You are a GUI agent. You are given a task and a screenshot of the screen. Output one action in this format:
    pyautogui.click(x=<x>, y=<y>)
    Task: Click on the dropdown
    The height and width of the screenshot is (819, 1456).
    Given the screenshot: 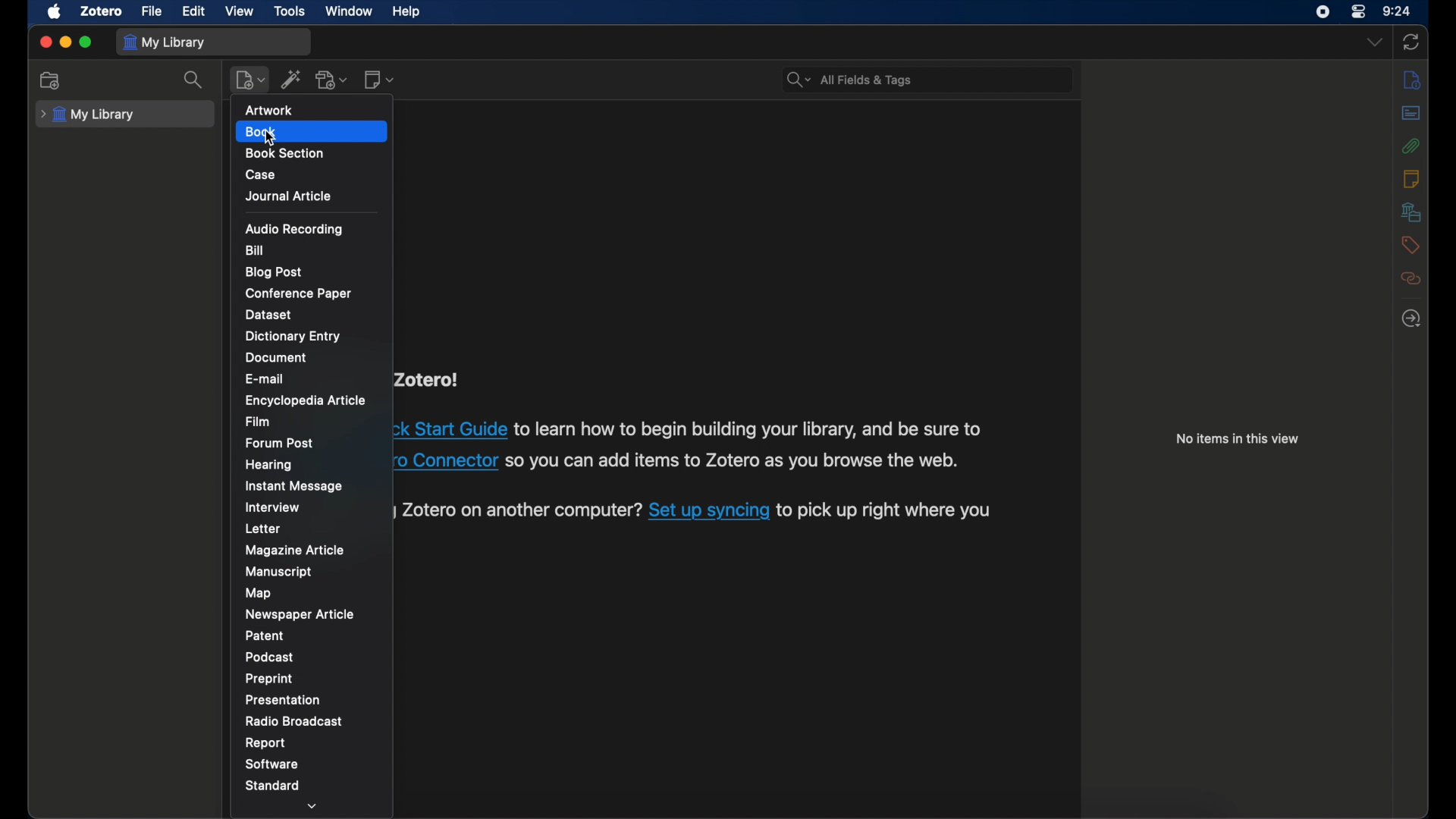 What is the action you would take?
    pyautogui.click(x=1376, y=42)
    